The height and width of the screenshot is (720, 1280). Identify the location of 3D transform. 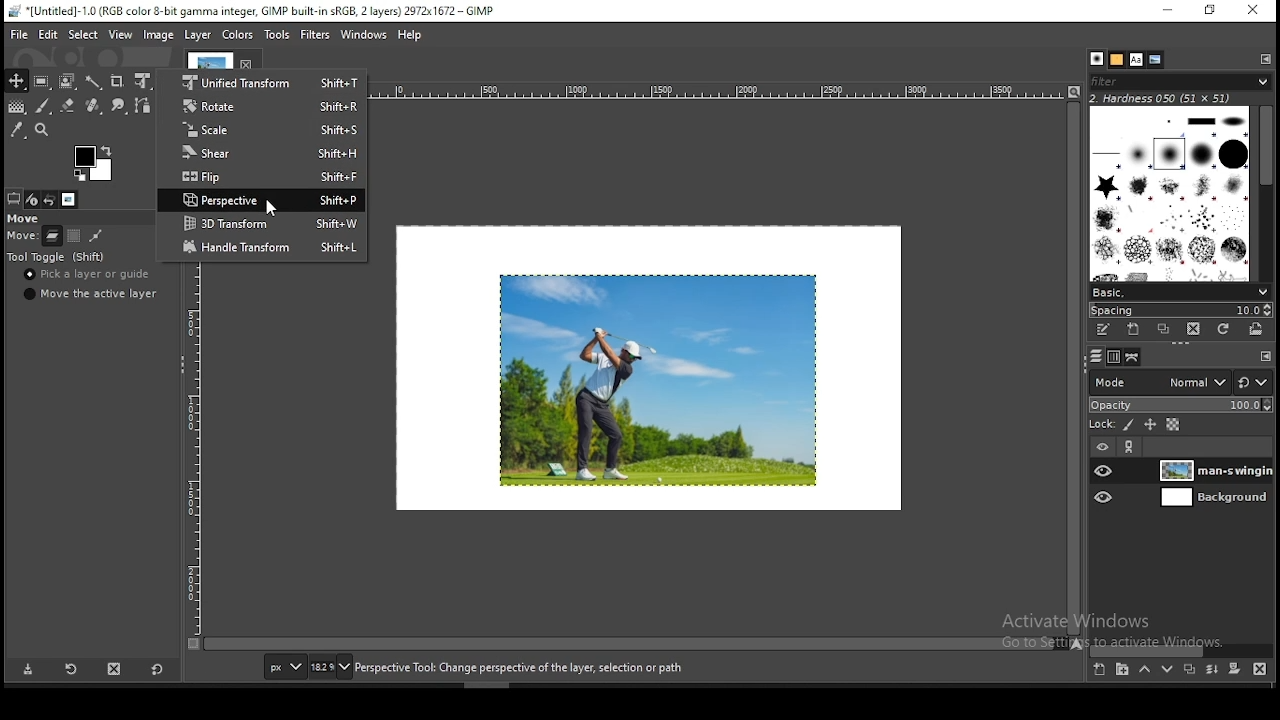
(263, 223).